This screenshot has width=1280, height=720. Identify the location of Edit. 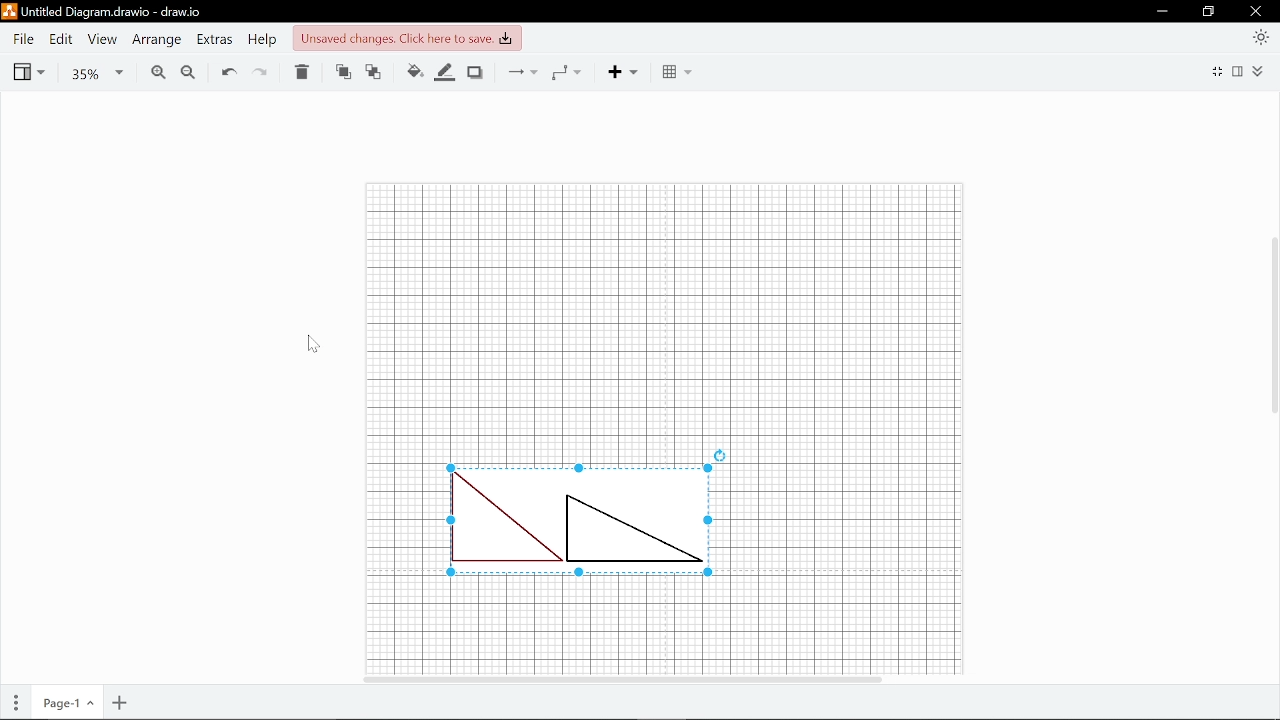
(62, 40).